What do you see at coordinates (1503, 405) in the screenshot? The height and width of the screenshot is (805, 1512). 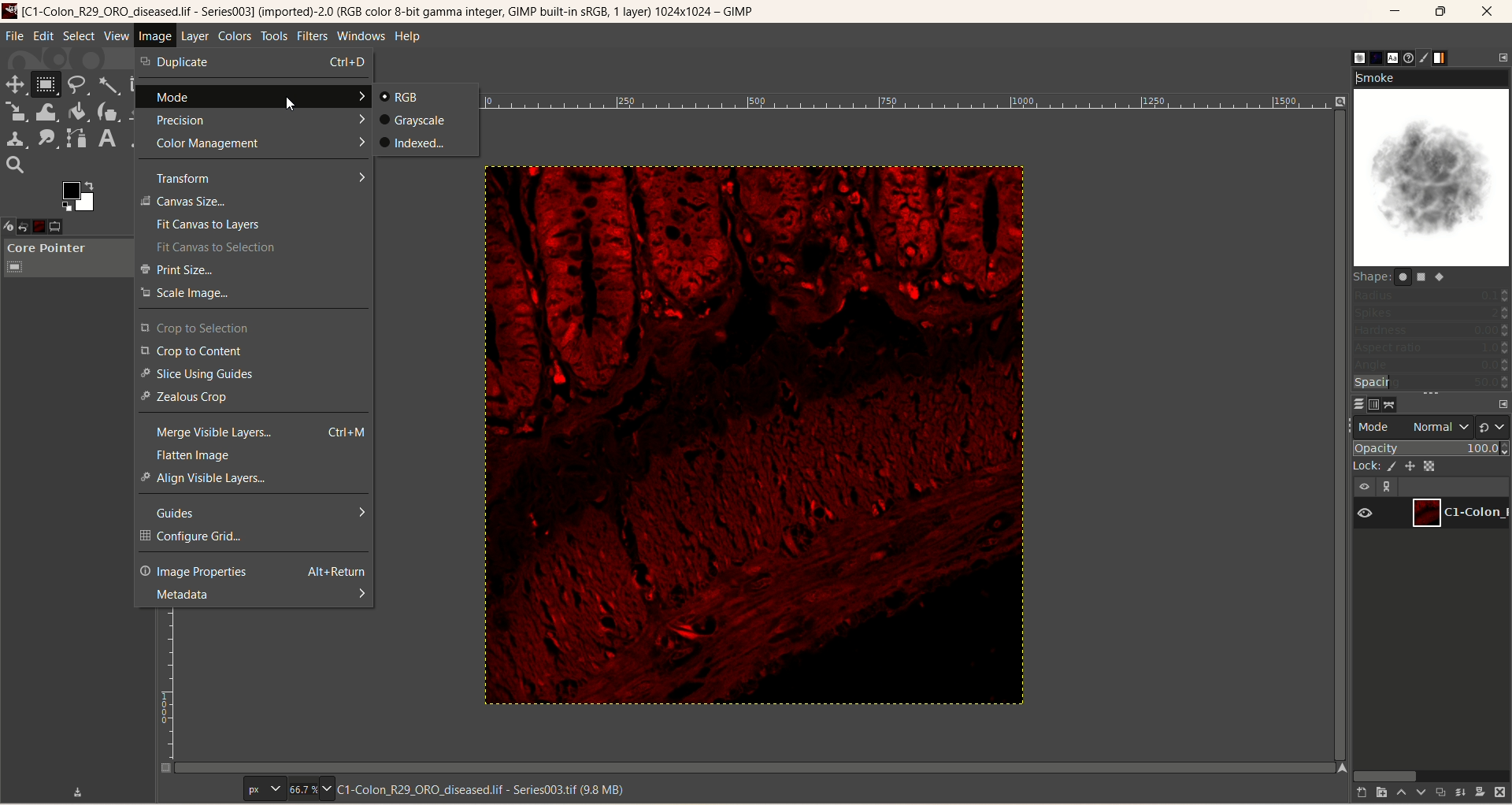 I see `configure this tab` at bounding box center [1503, 405].